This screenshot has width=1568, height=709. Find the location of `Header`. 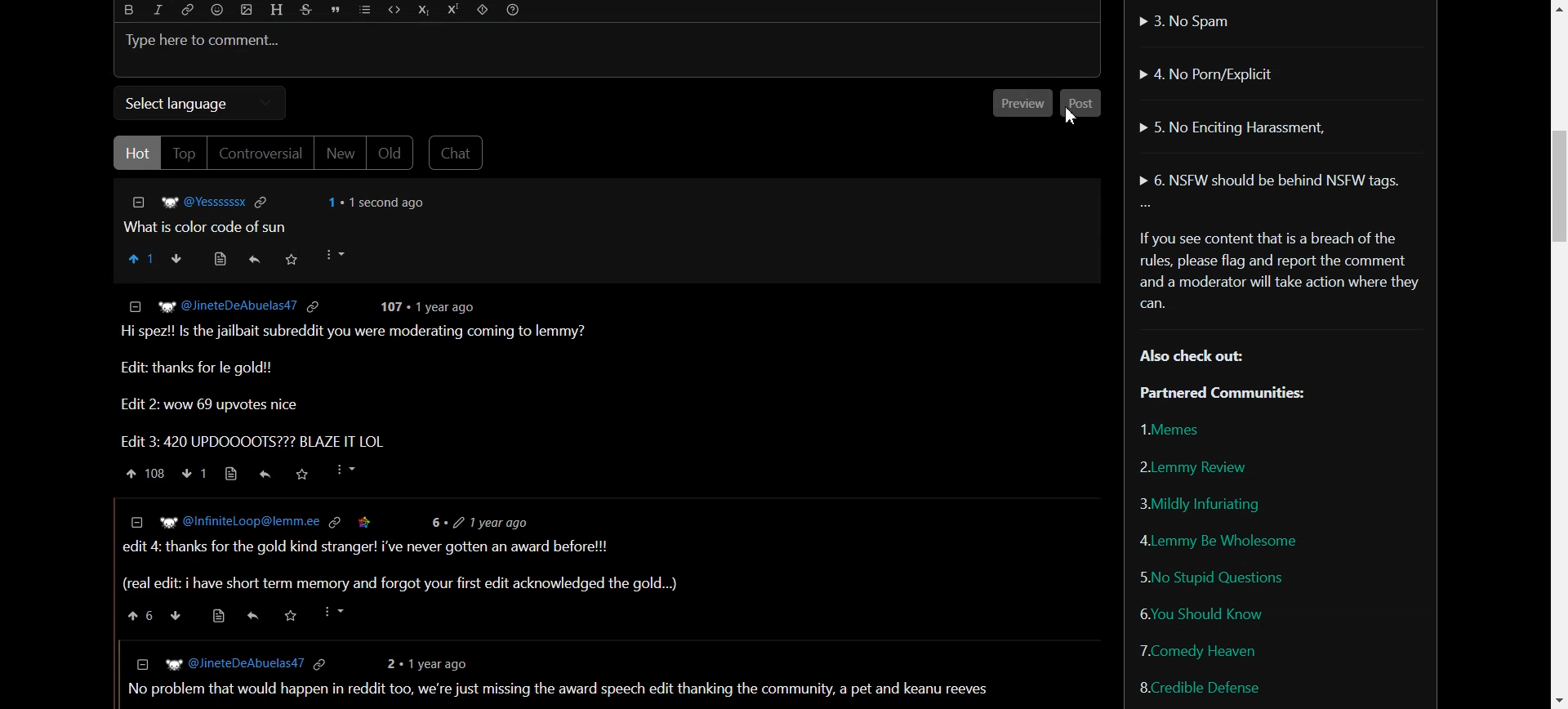

Header is located at coordinates (275, 10).